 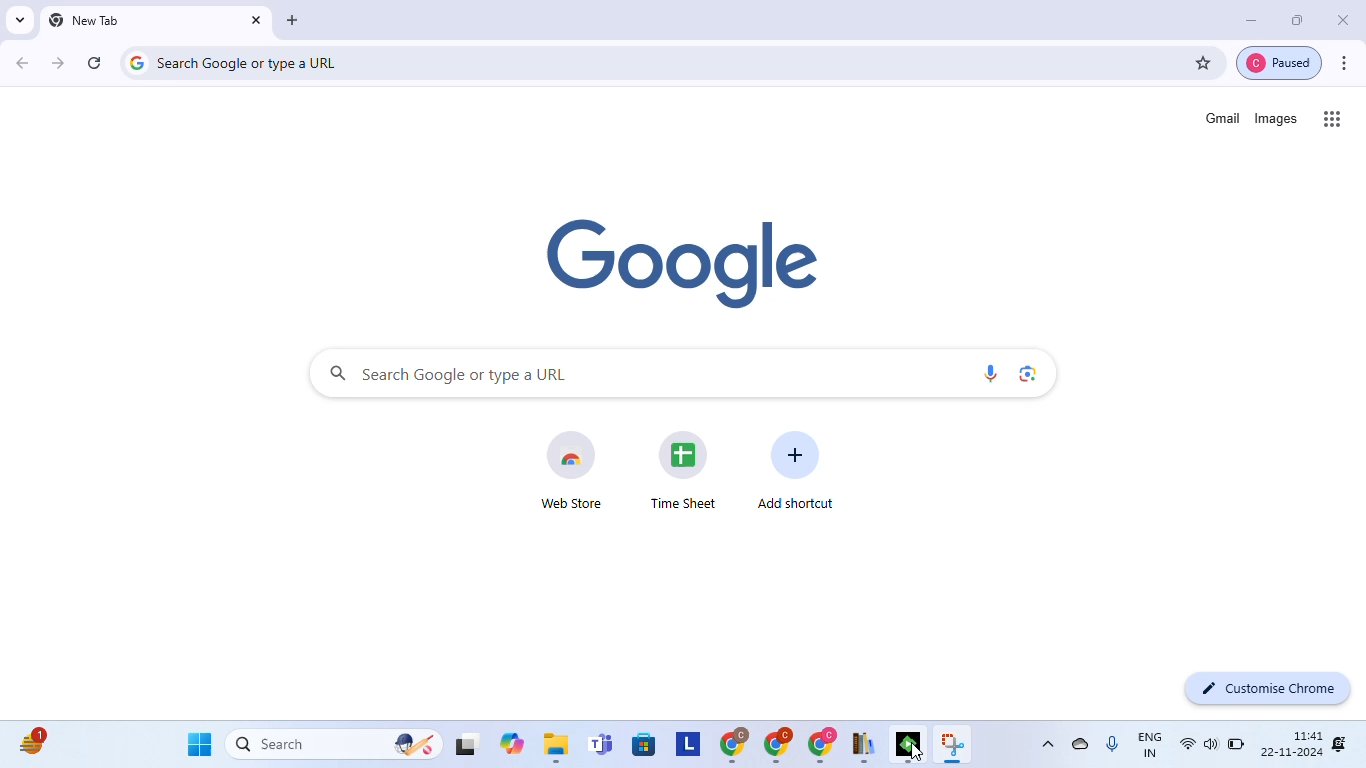 I want to click on search tabs, so click(x=20, y=19).